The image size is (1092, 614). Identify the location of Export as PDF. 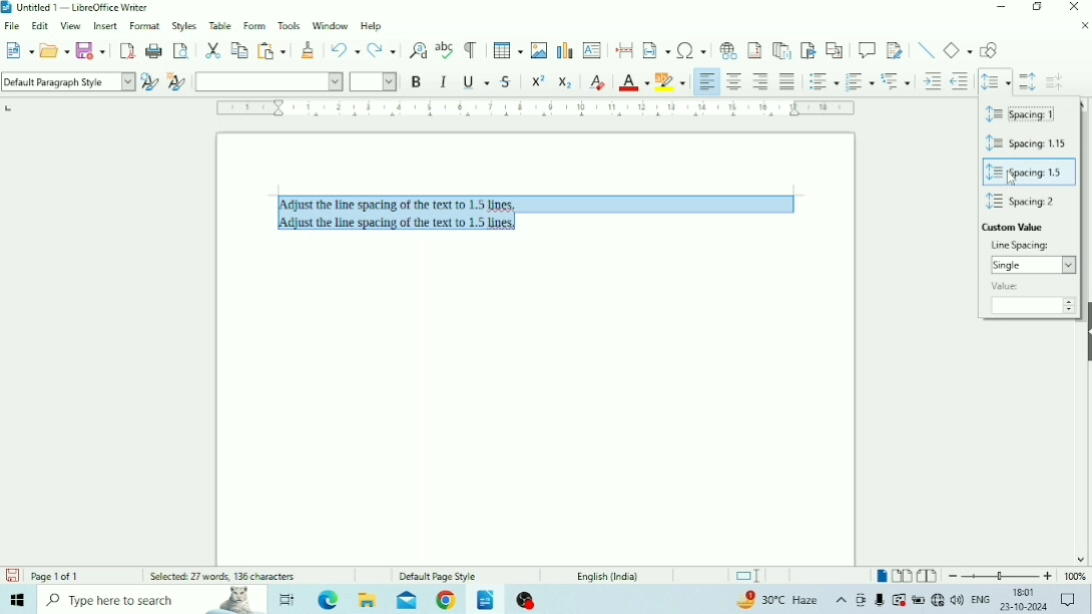
(126, 51).